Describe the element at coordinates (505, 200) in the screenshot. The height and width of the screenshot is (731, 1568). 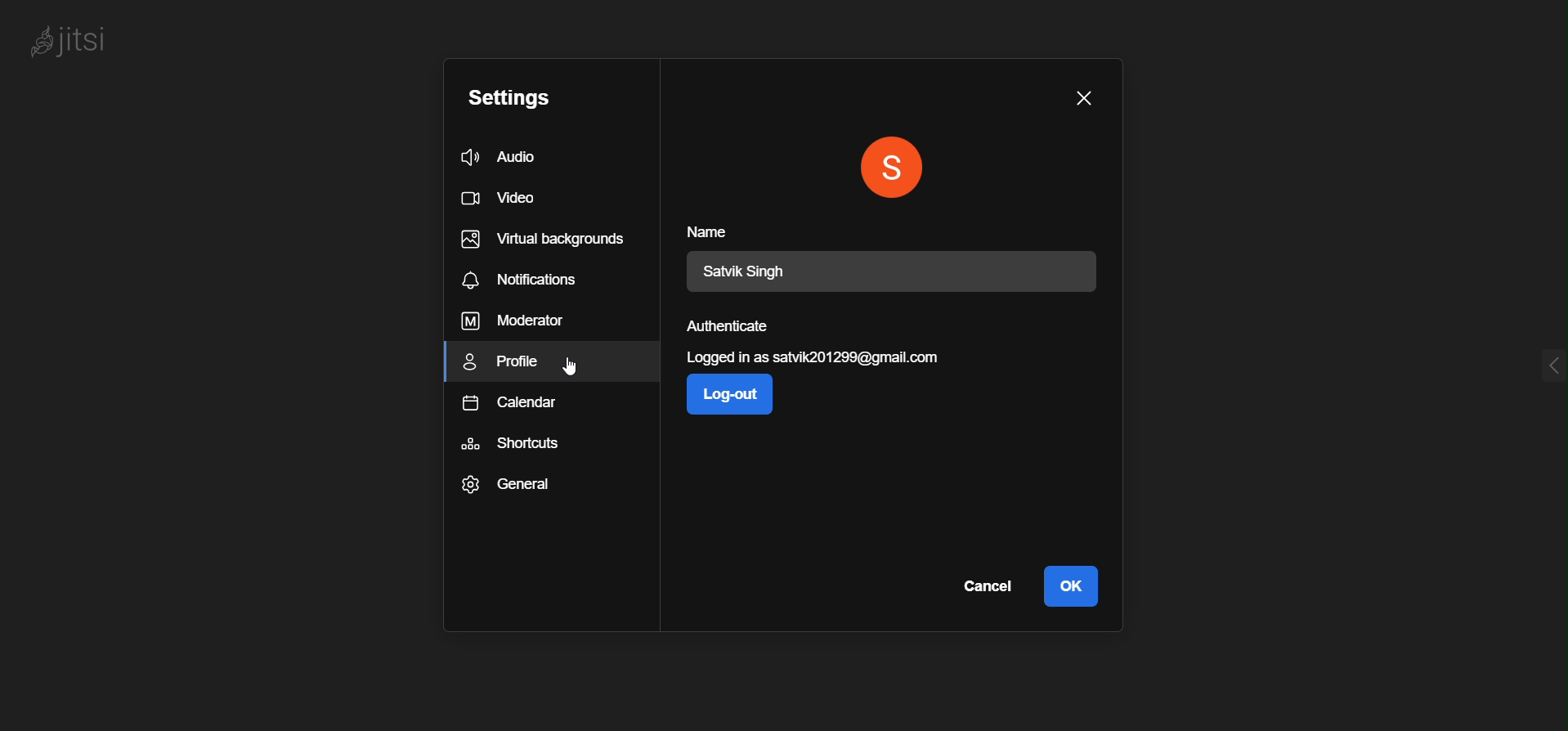
I see `video` at that location.